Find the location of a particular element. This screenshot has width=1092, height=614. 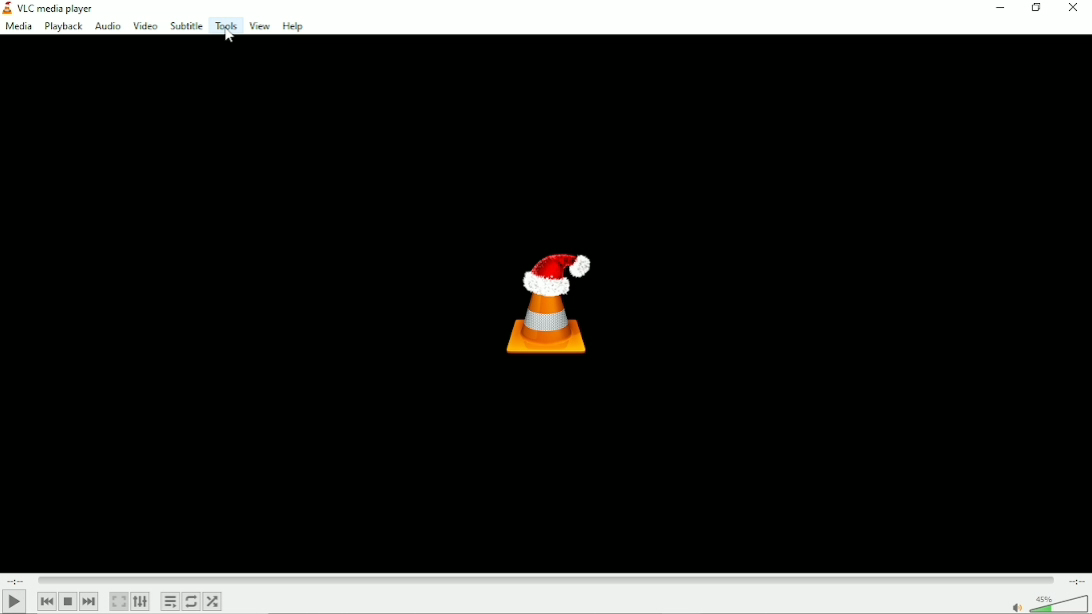

Help is located at coordinates (294, 26).